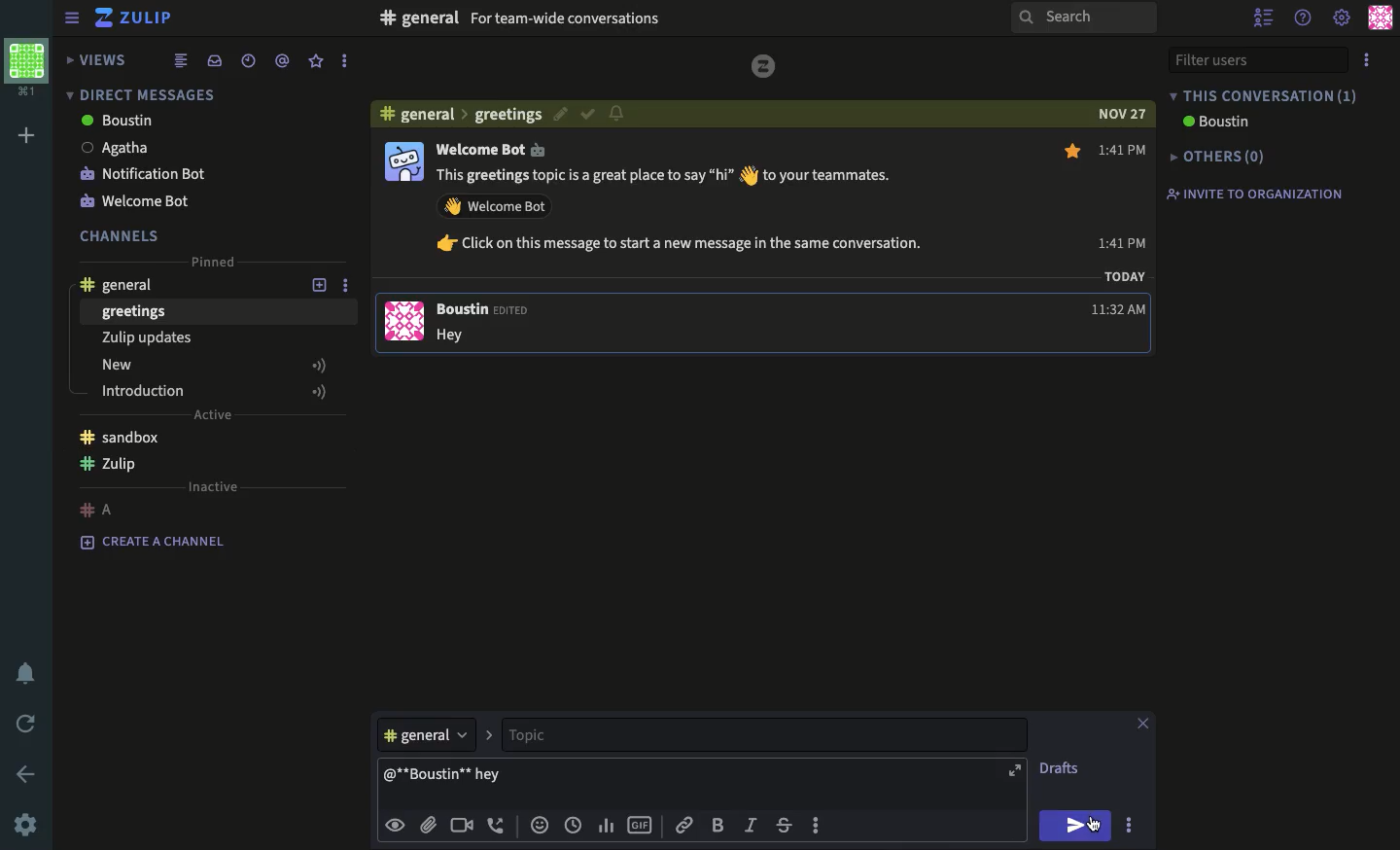  I want to click on notification bot, so click(144, 175).